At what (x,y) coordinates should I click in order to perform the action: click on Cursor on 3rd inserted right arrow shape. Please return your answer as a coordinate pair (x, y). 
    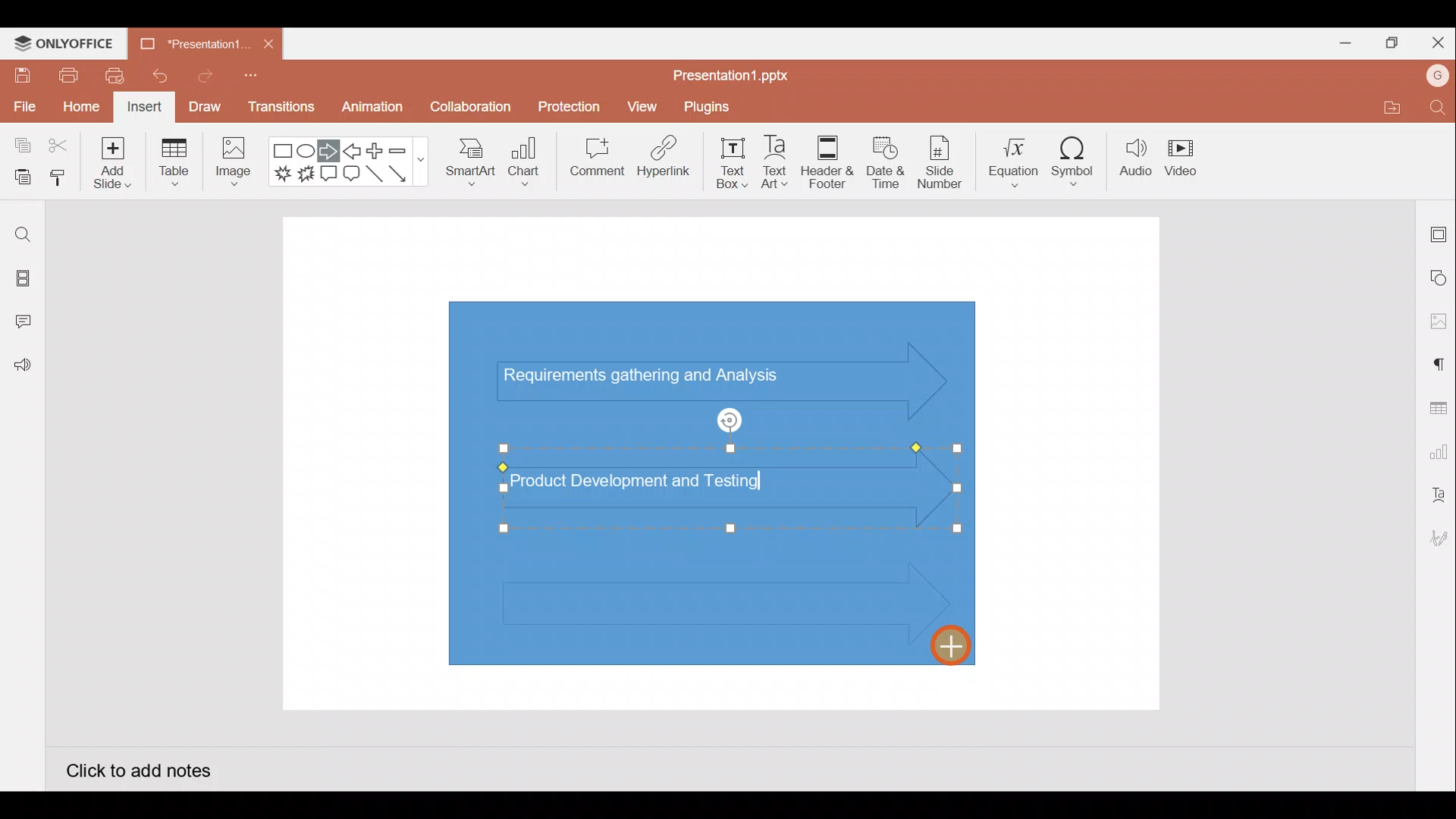
    Looking at the image, I should click on (943, 642).